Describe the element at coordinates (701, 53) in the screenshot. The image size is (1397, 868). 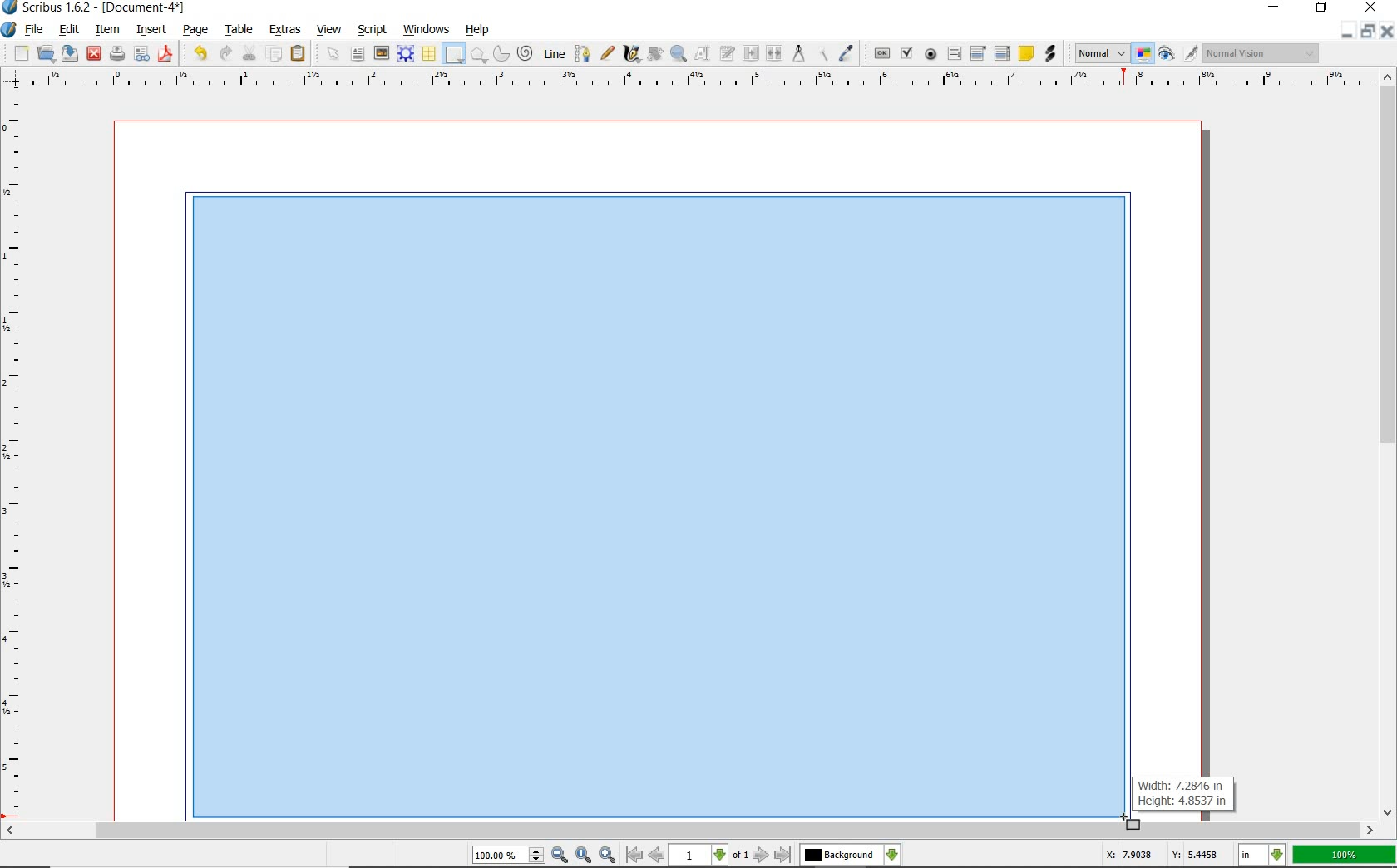
I see `edit contents of frame` at that location.